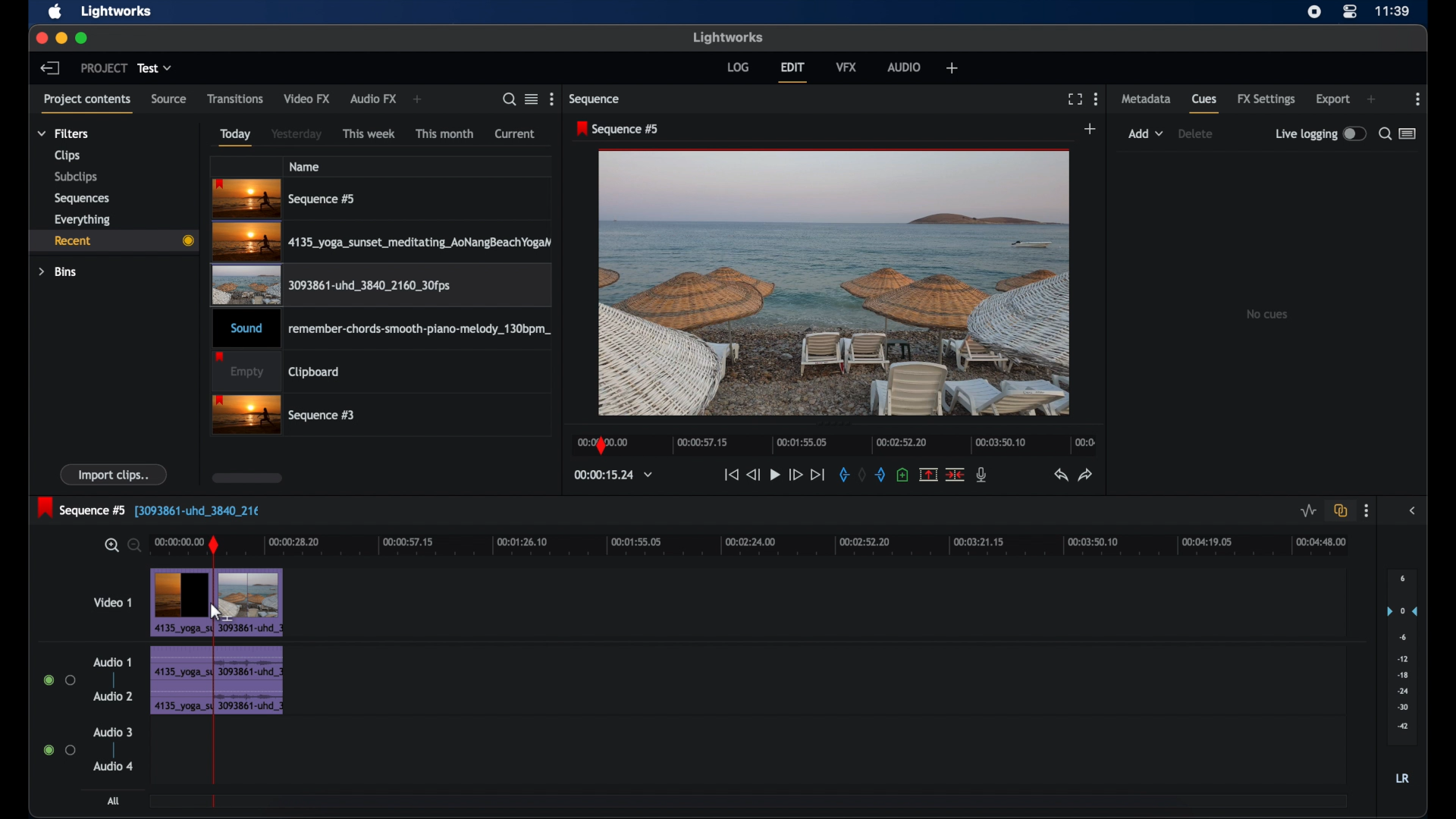 This screenshot has width=1456, height=819. Describe the element at coordinates (551, 99) in the screenshot. I see `more options` at that location.